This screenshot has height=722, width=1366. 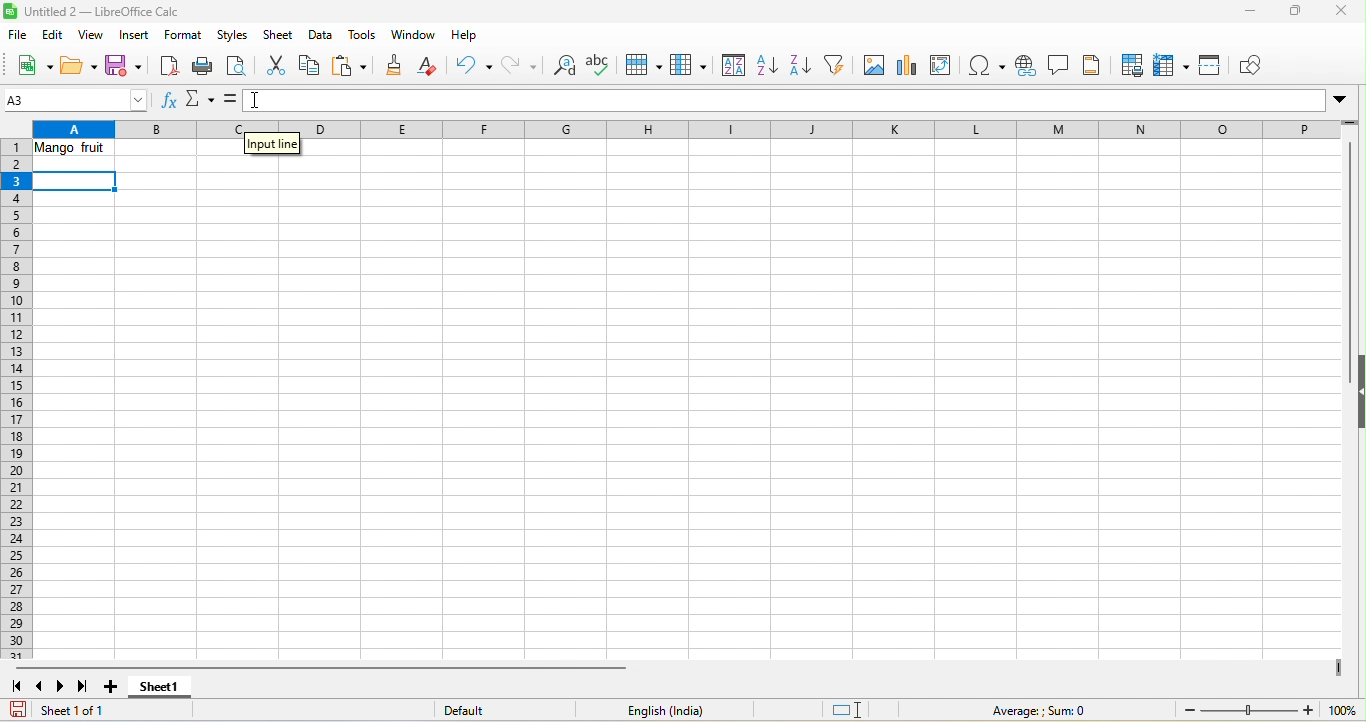 I want to click on undo, so click(x=473, y=67).